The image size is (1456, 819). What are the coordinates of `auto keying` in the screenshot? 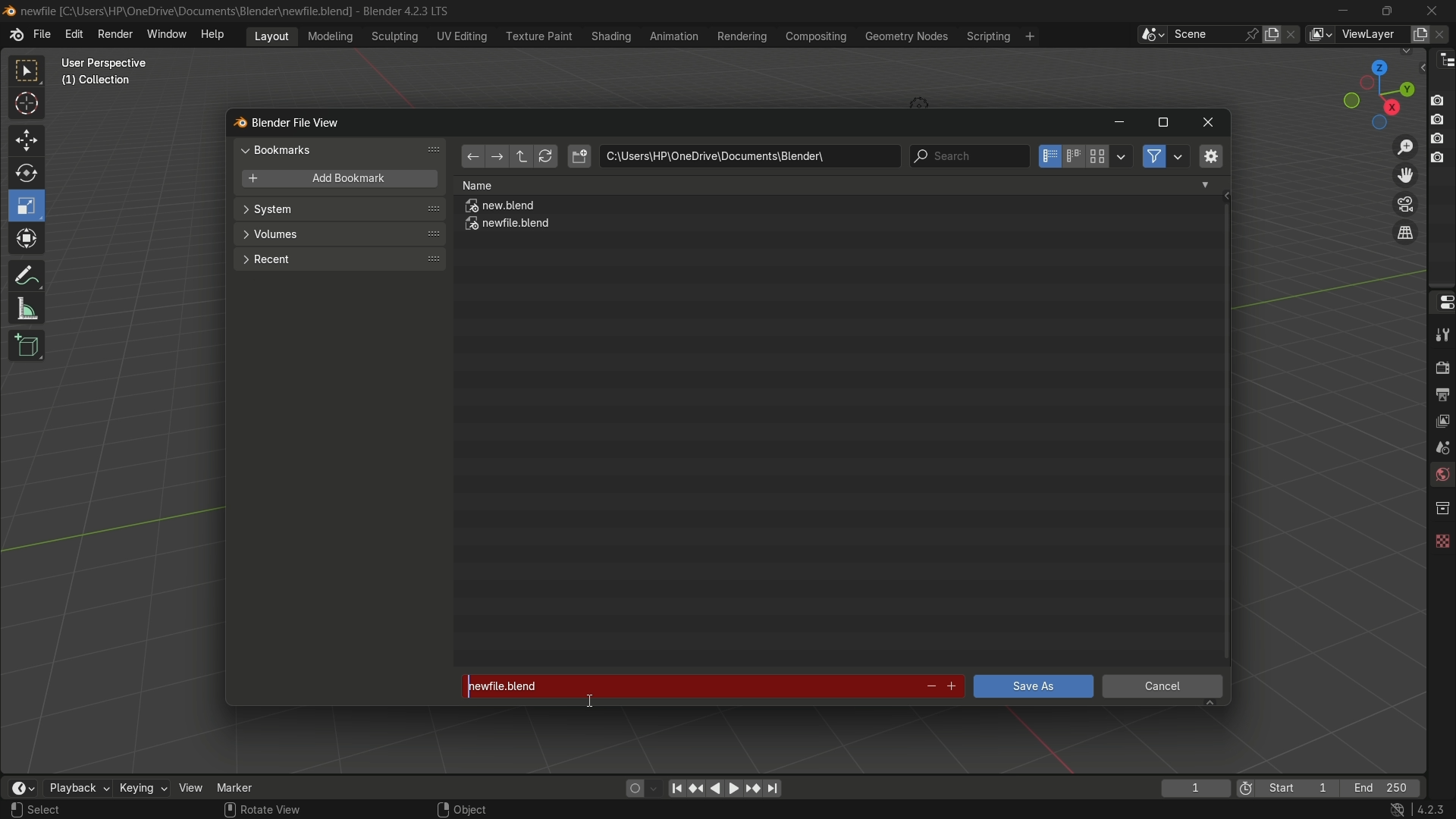 It's located at (631, 787).